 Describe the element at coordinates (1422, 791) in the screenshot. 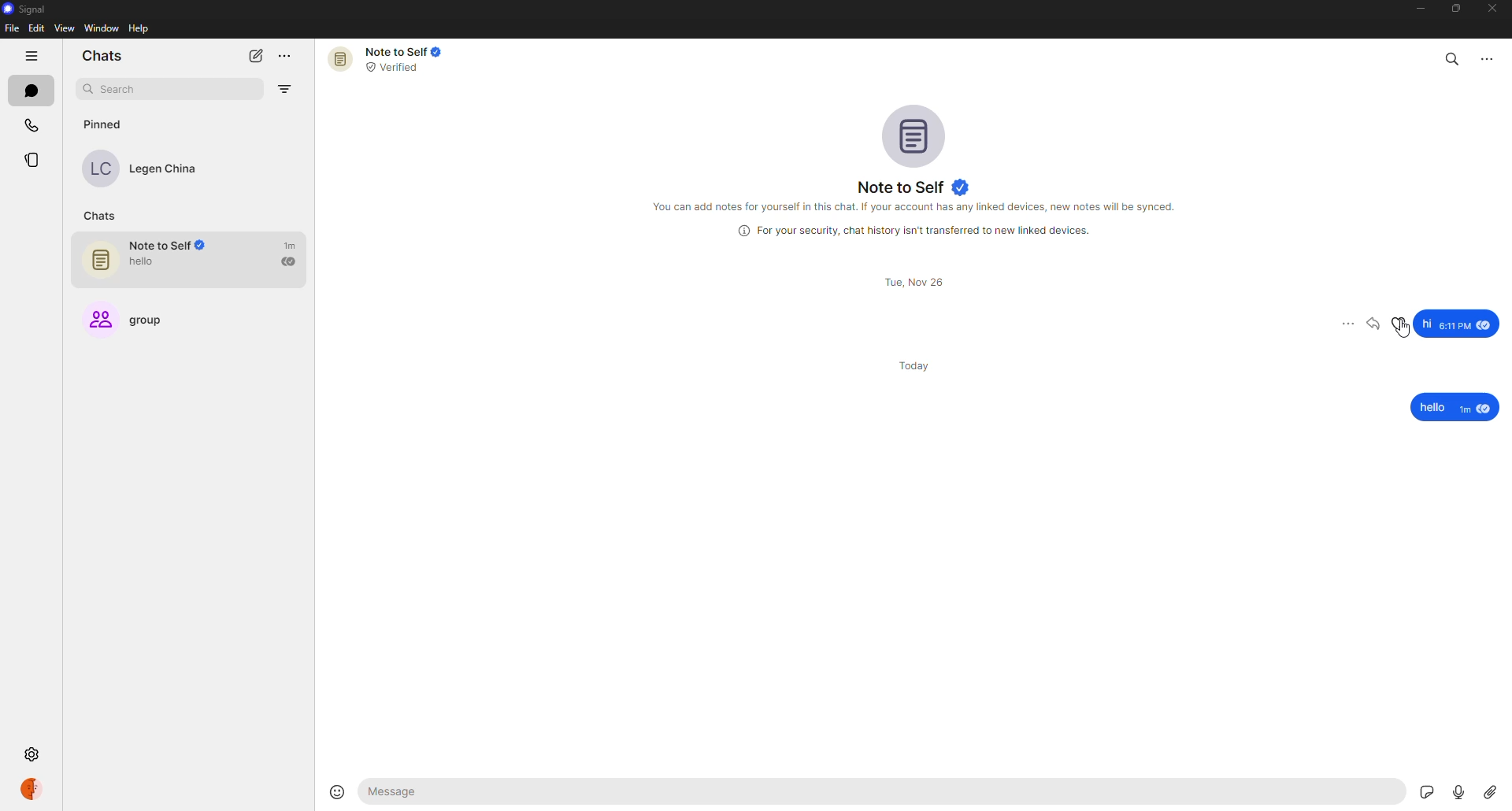

I see `stickers` at that location.